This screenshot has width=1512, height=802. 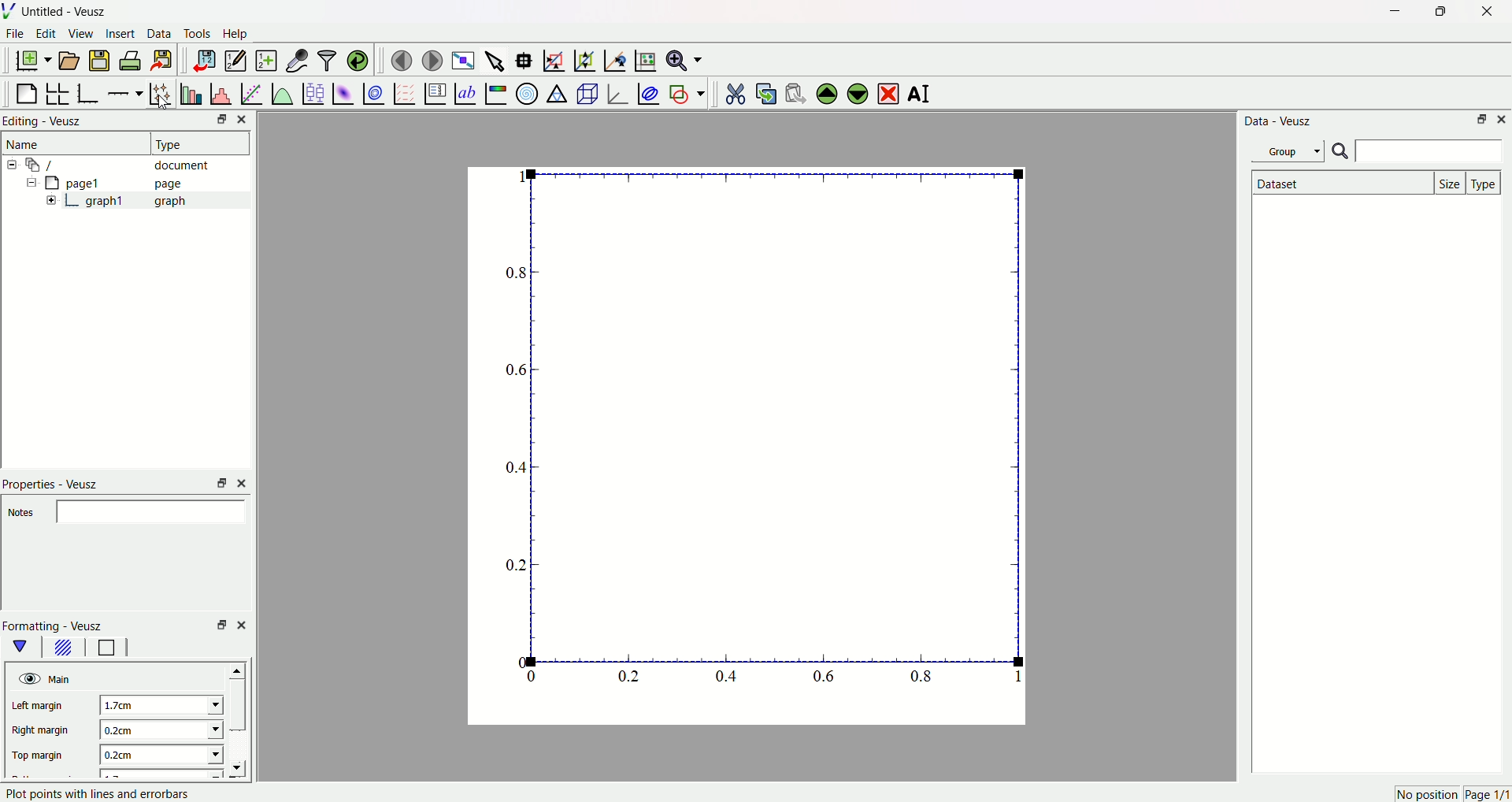 I want to click on Type, so click(x=1485, y=182).